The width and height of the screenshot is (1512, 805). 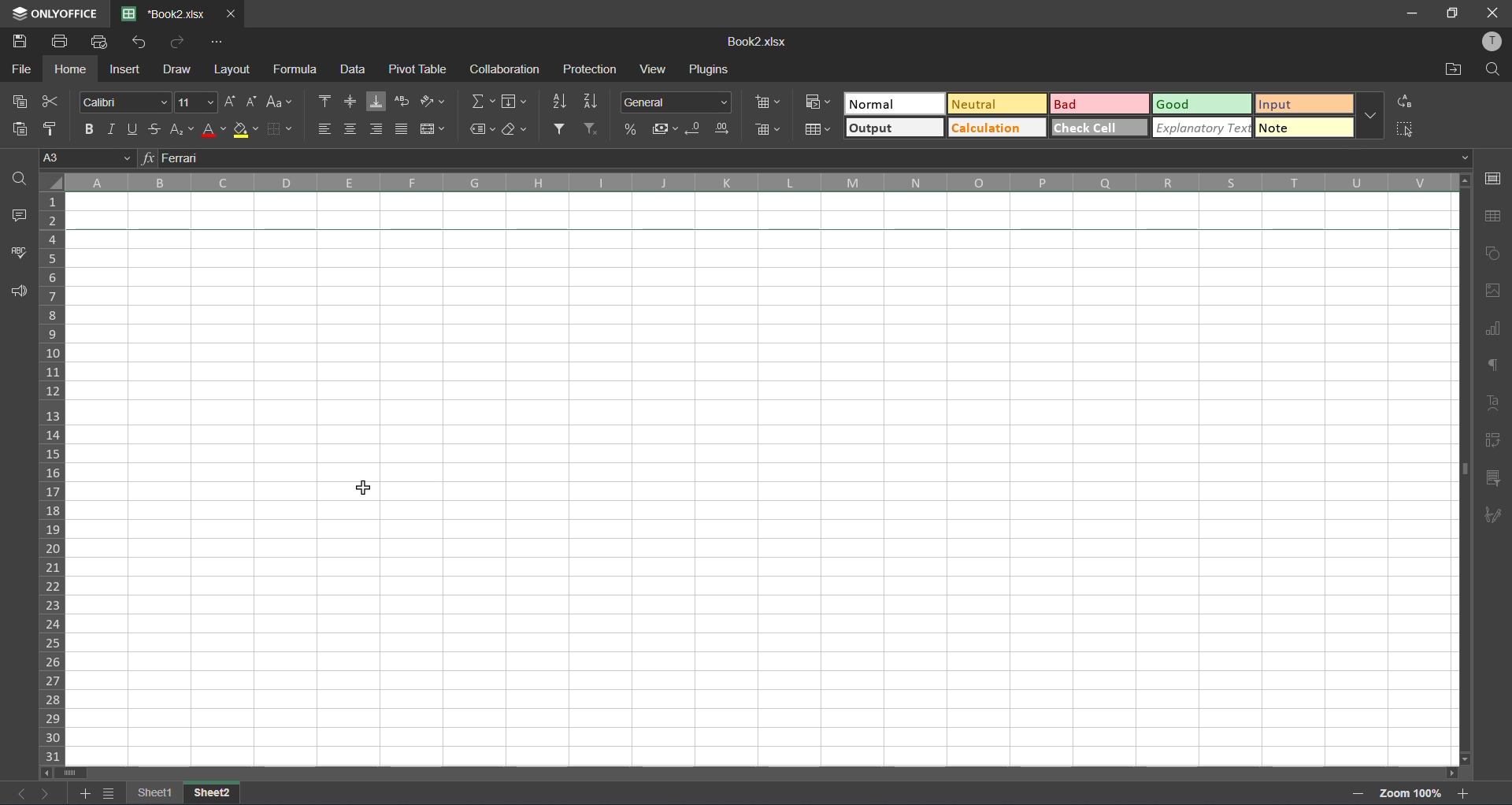 What do you see at coordinates (215, 129) in the screenshot?
I see `font color` at bounding box center [215, 129].